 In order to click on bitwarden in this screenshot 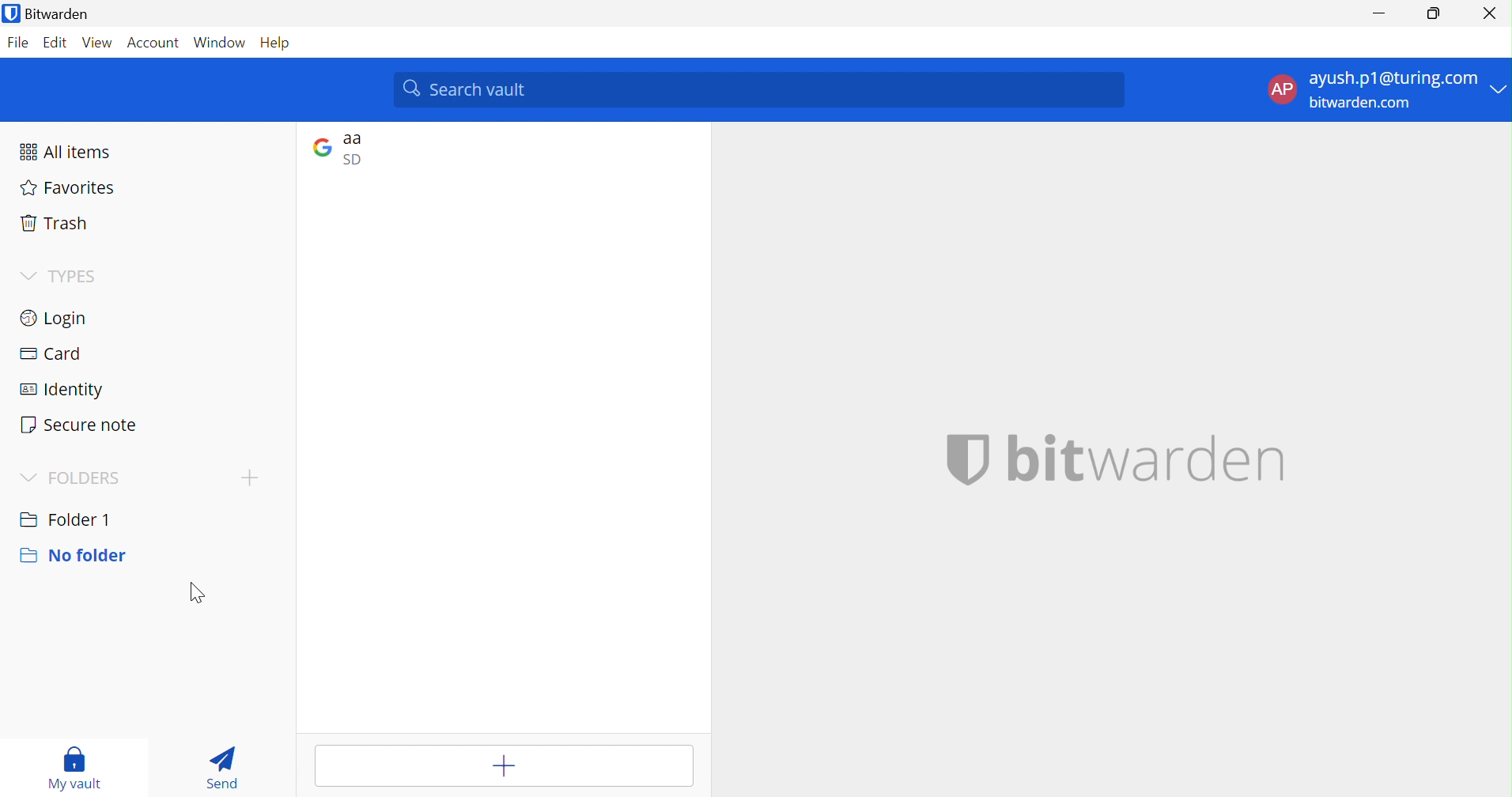, I will do `click(1150, 461)`.